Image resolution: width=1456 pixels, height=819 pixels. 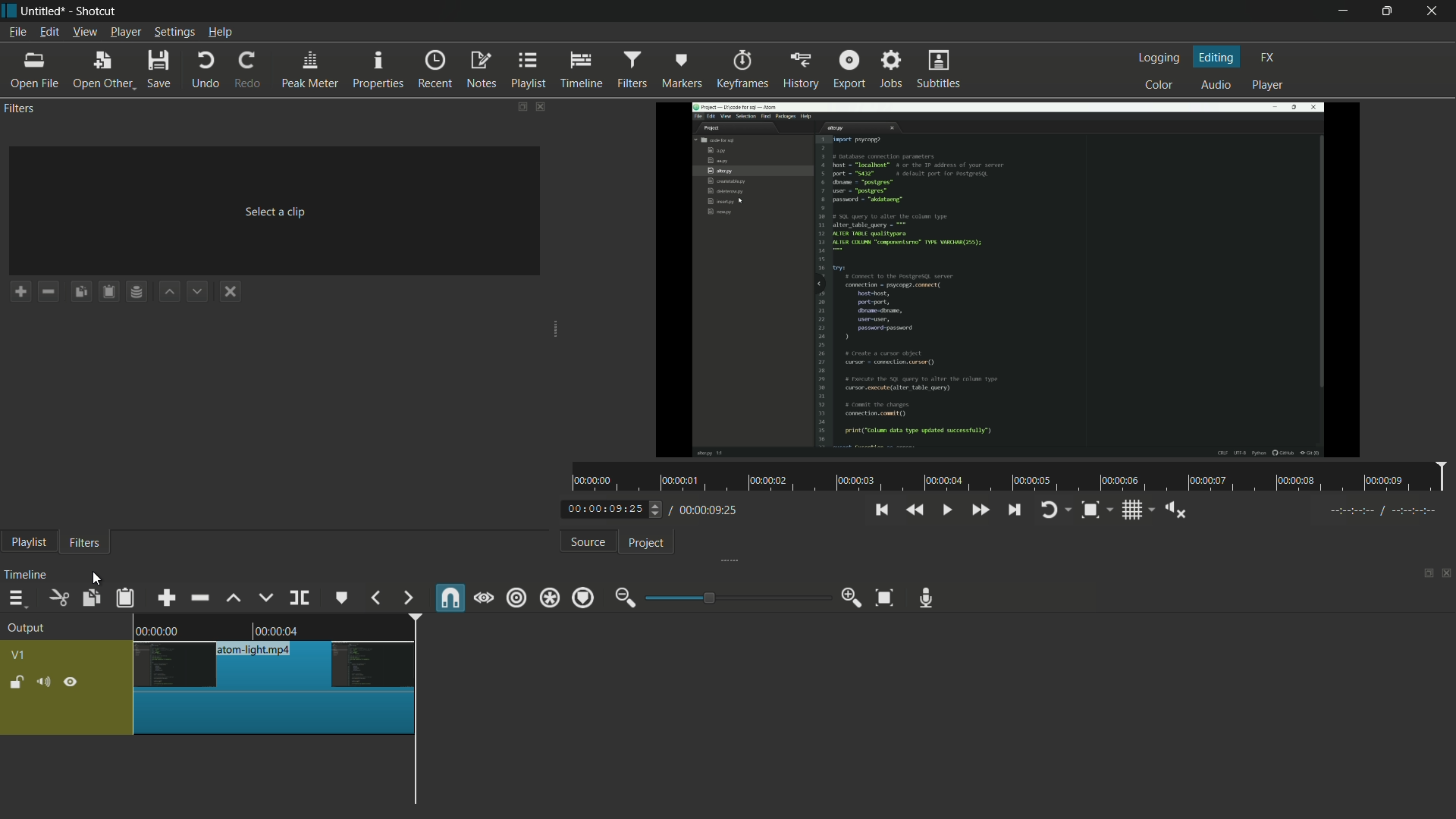 What do you see at coordinates (941, 71) in the screenshot?
I see `subtitles` at bounding box center [941, 71].